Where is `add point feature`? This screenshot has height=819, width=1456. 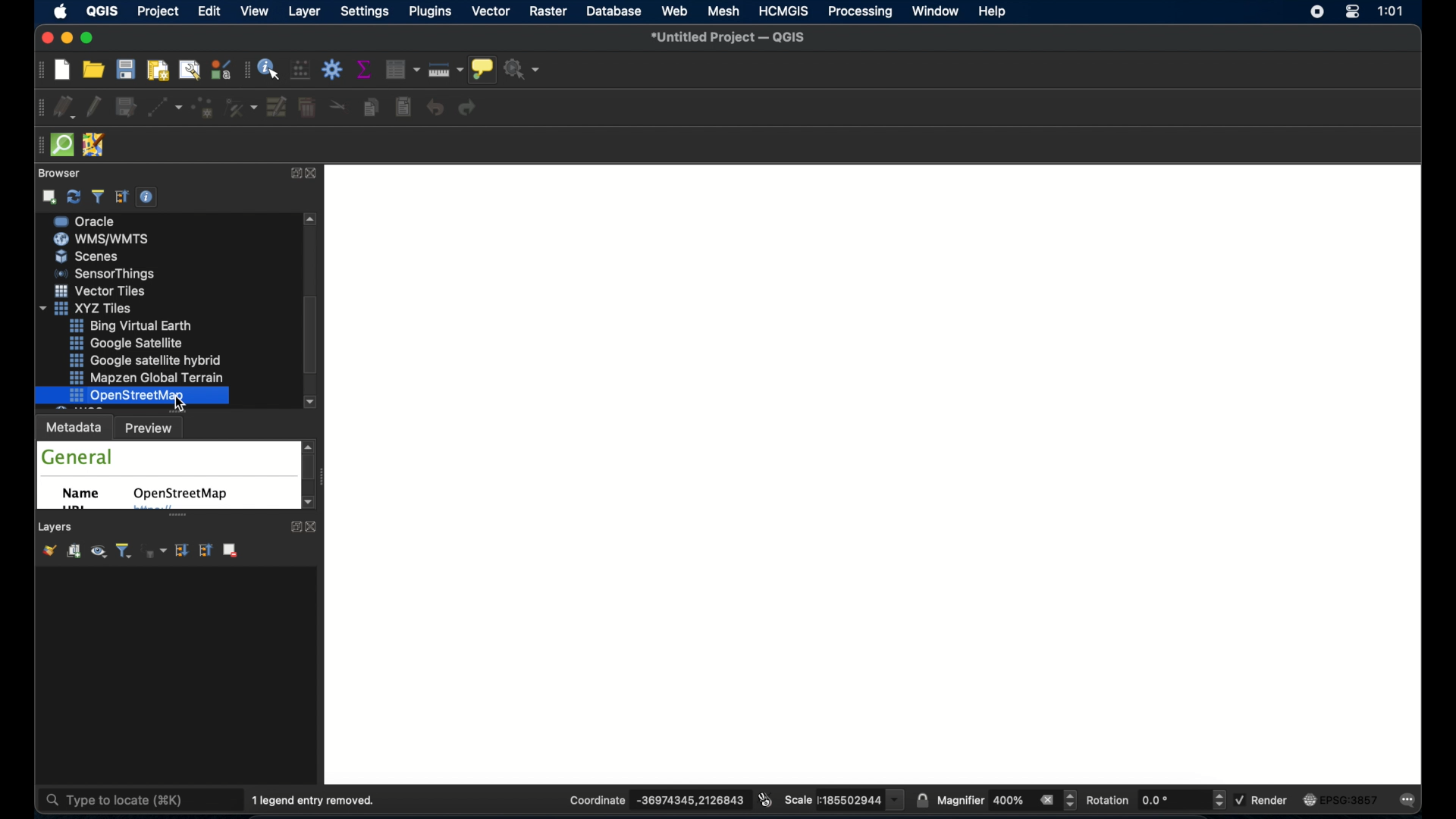
add point feature is located at coordinates (204, 108).